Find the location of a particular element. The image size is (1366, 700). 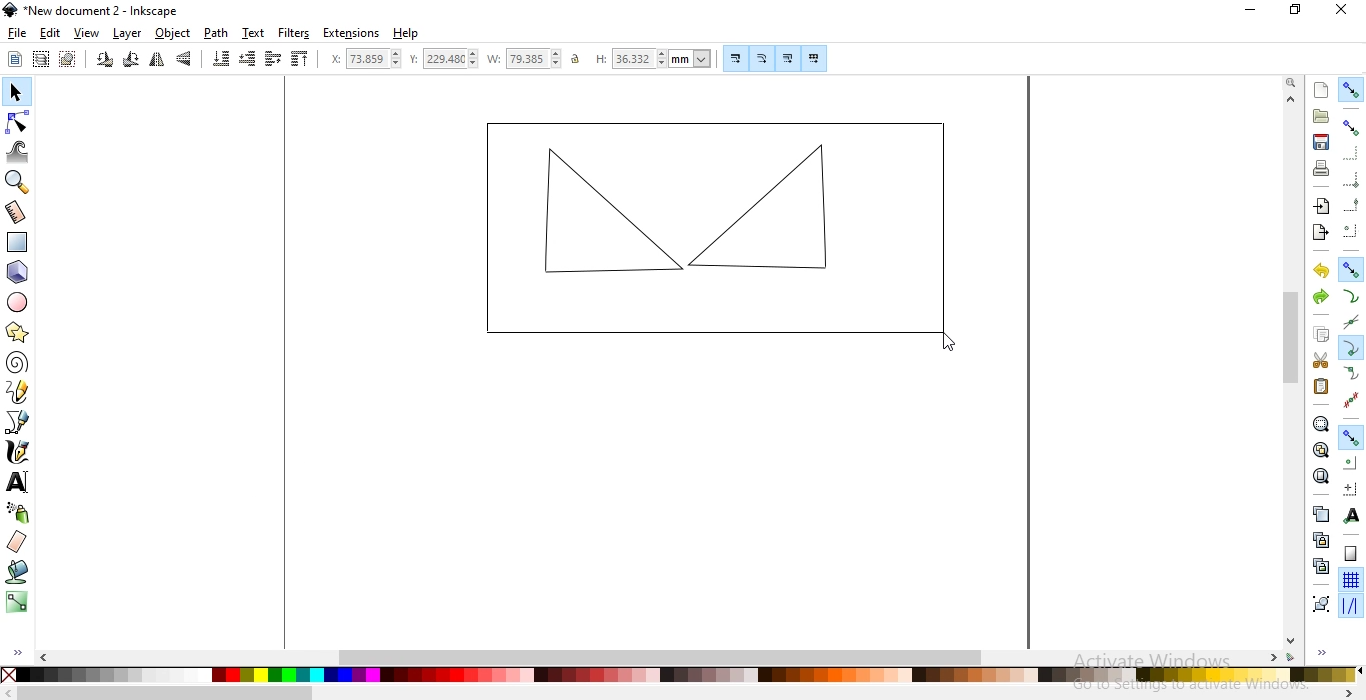

lower selection to bottom is located at coordinates (222, 59).